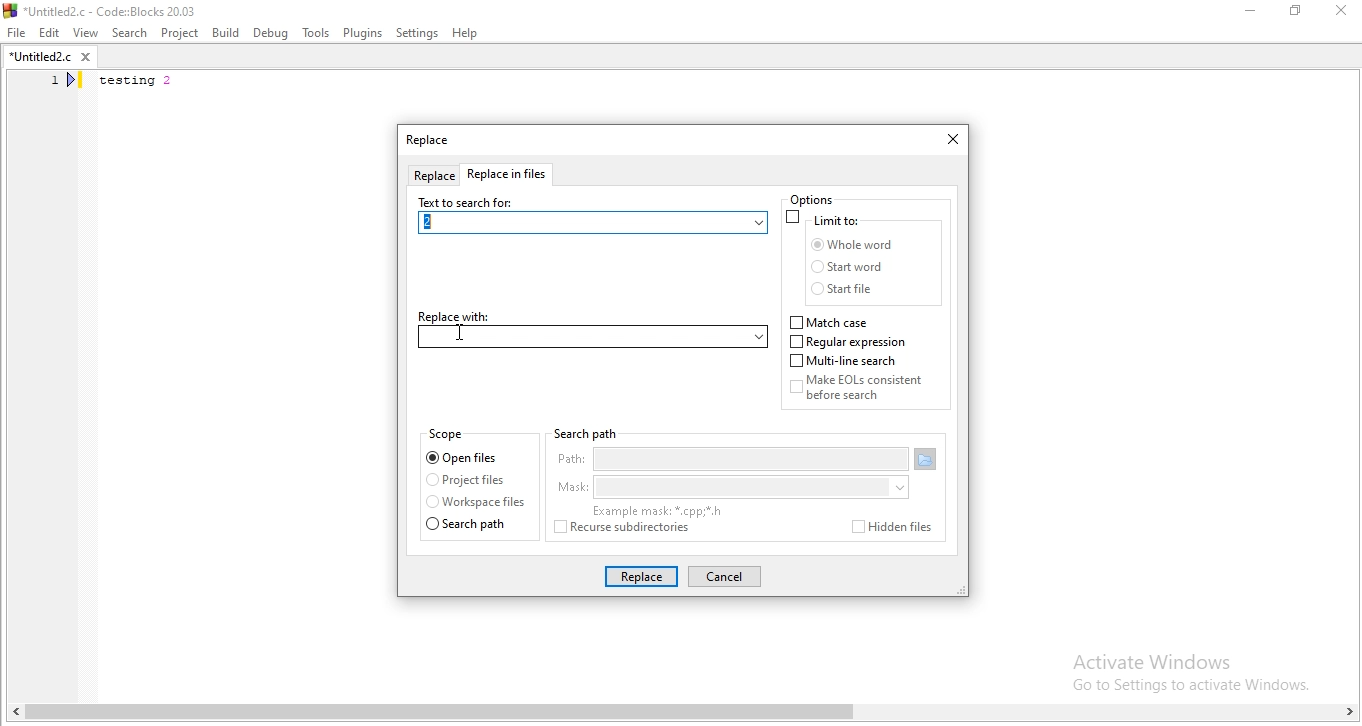  I want to click on *Untitled2.c - Code::Blocks 20.03, so click(121, 9).